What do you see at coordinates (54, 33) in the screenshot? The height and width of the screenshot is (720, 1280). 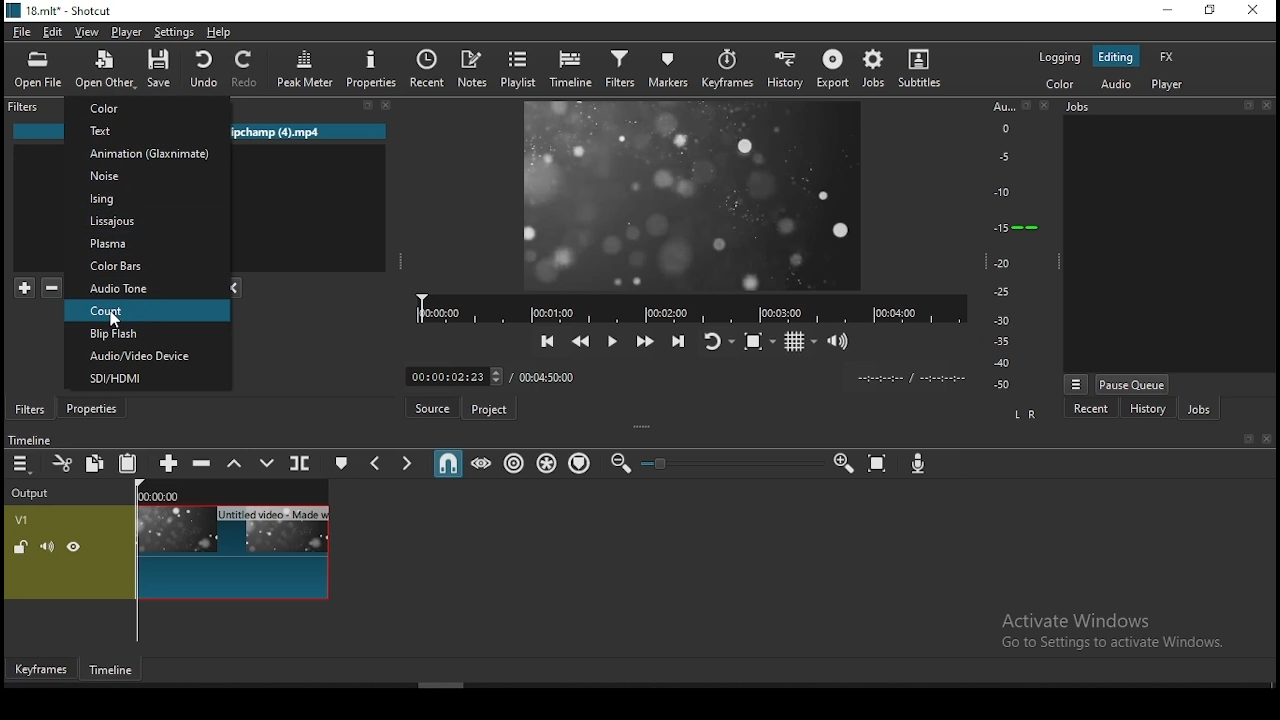 I see `edit` at bounding box center [54, 33].